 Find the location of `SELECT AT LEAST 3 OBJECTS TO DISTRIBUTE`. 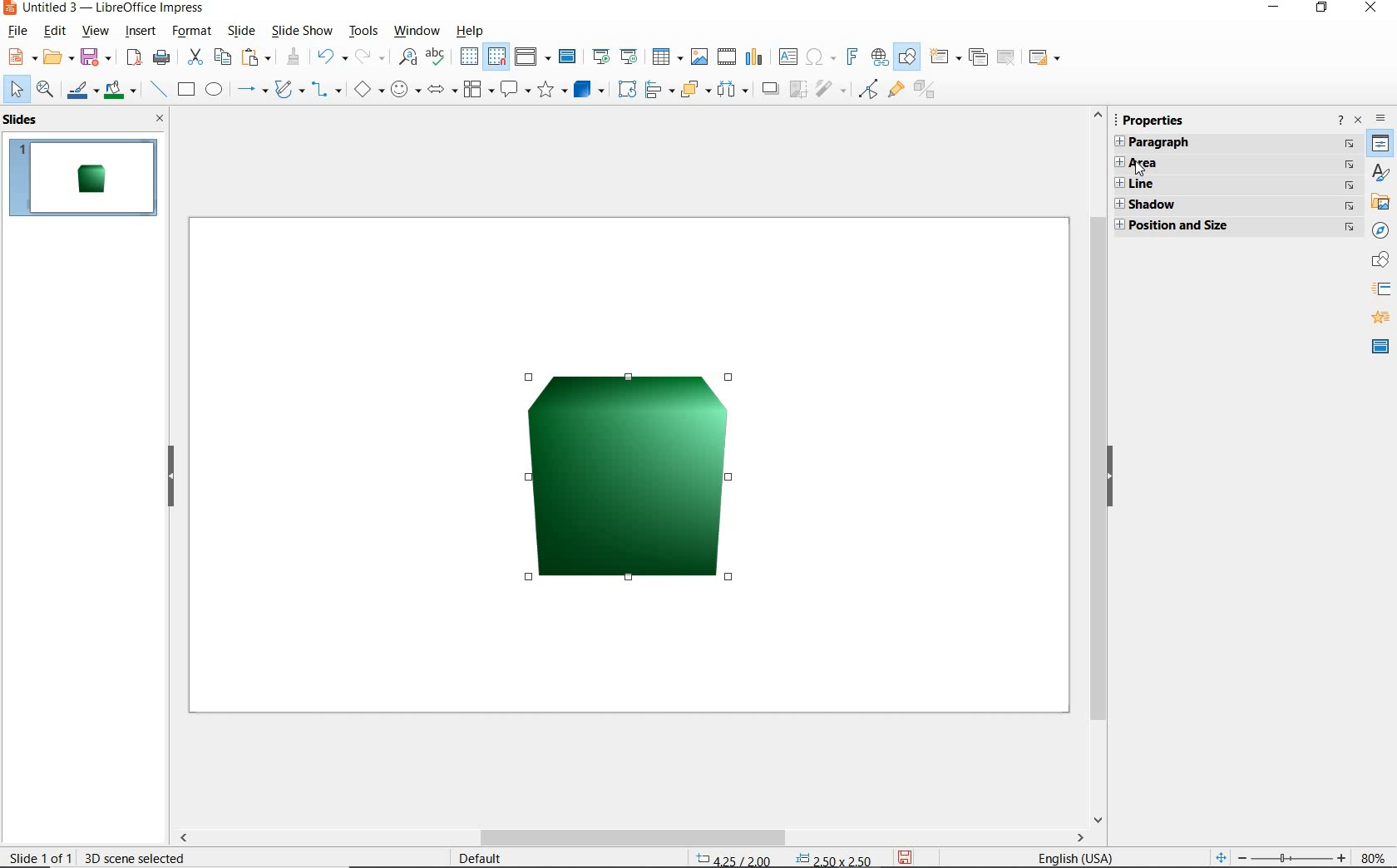

SELECT AT LEAST 3 OBJECTS TO DISTRIBUTE is located at coordinates (735, 91).